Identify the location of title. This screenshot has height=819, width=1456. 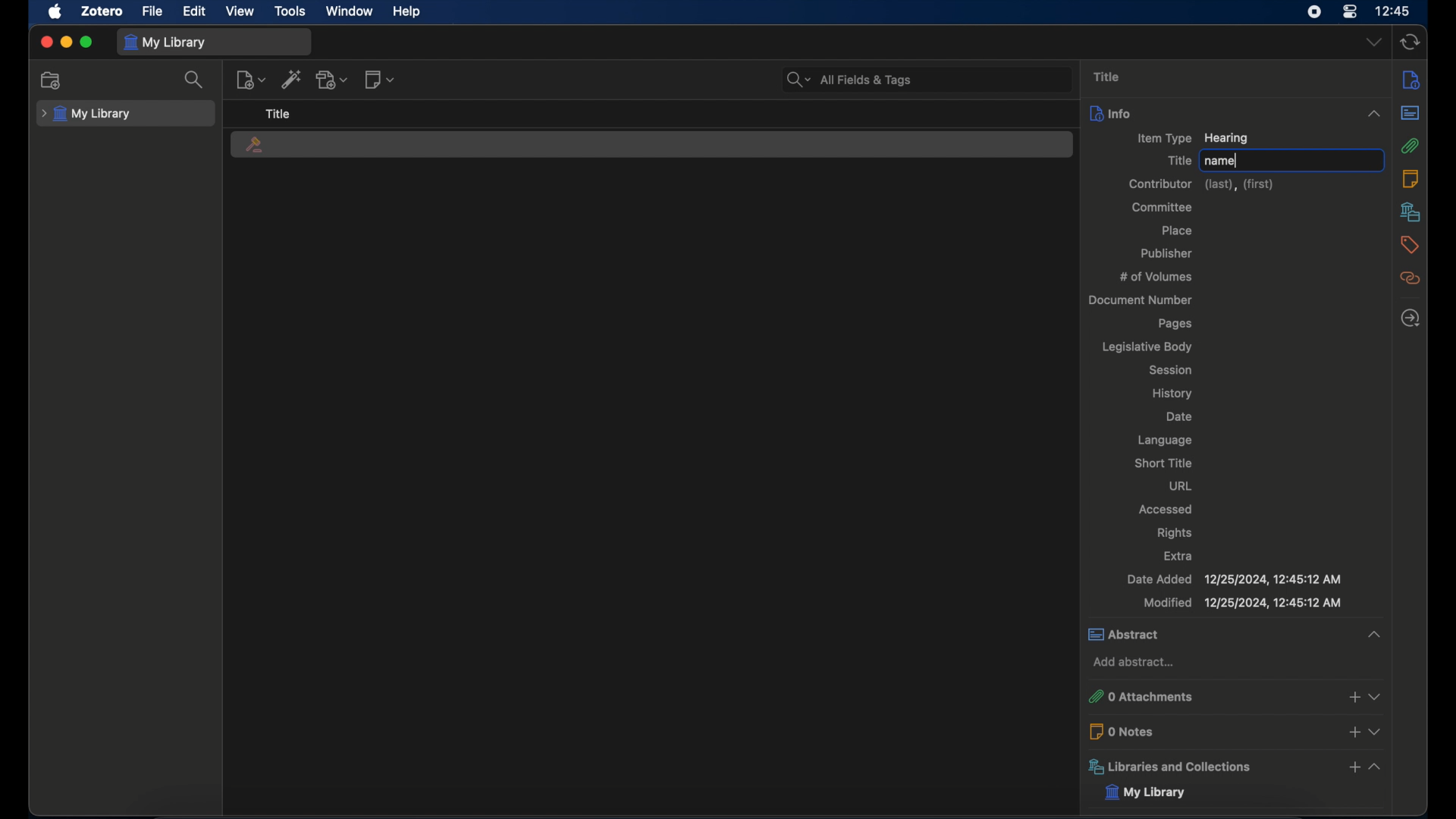
(278, 113).